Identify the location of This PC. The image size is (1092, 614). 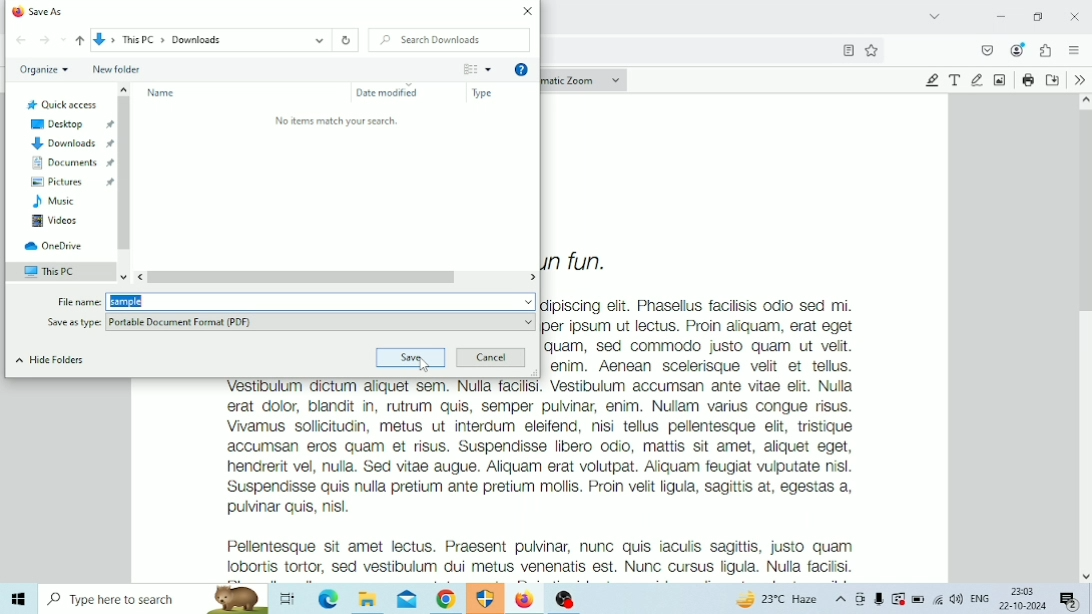
(54, 271).